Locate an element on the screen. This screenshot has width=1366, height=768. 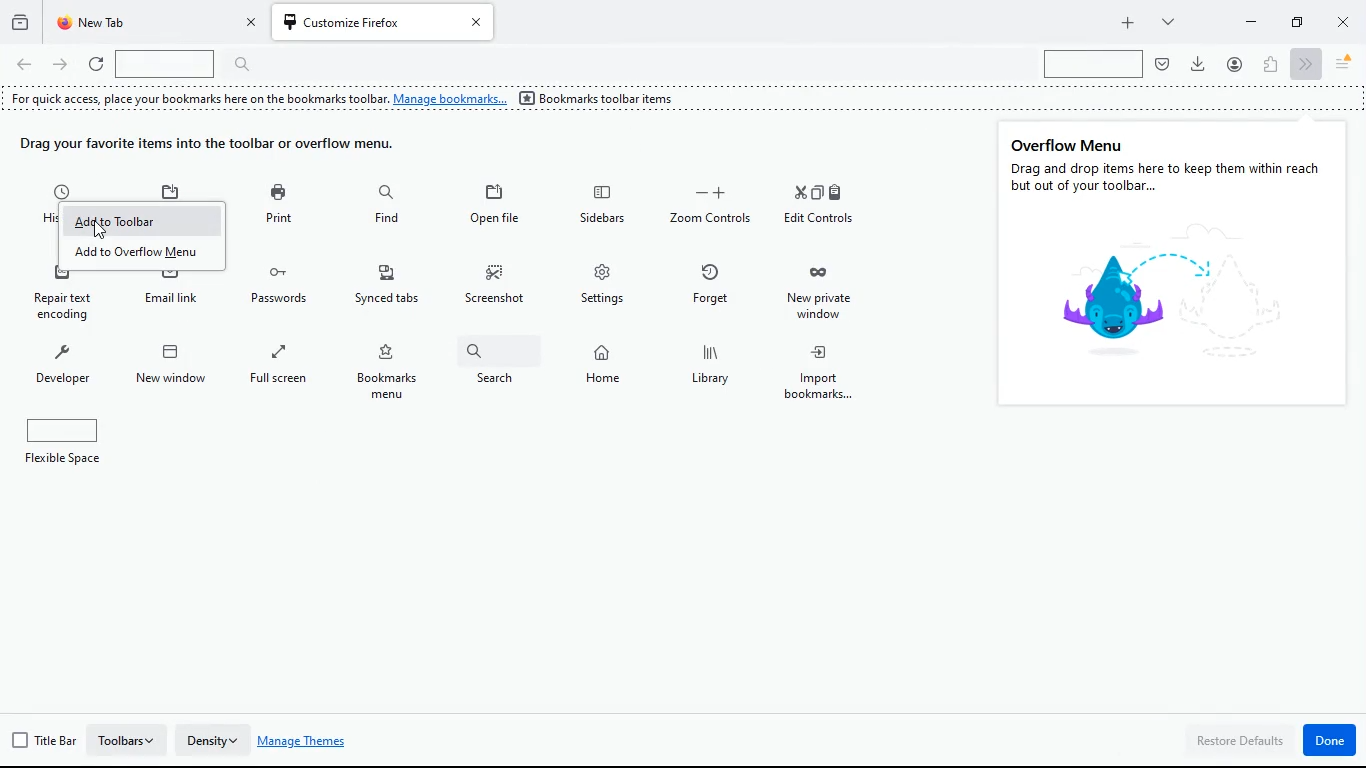
Drag and drop items here to keep them within reach
but out of your toolbar... is located at coordinates (1169, 178).